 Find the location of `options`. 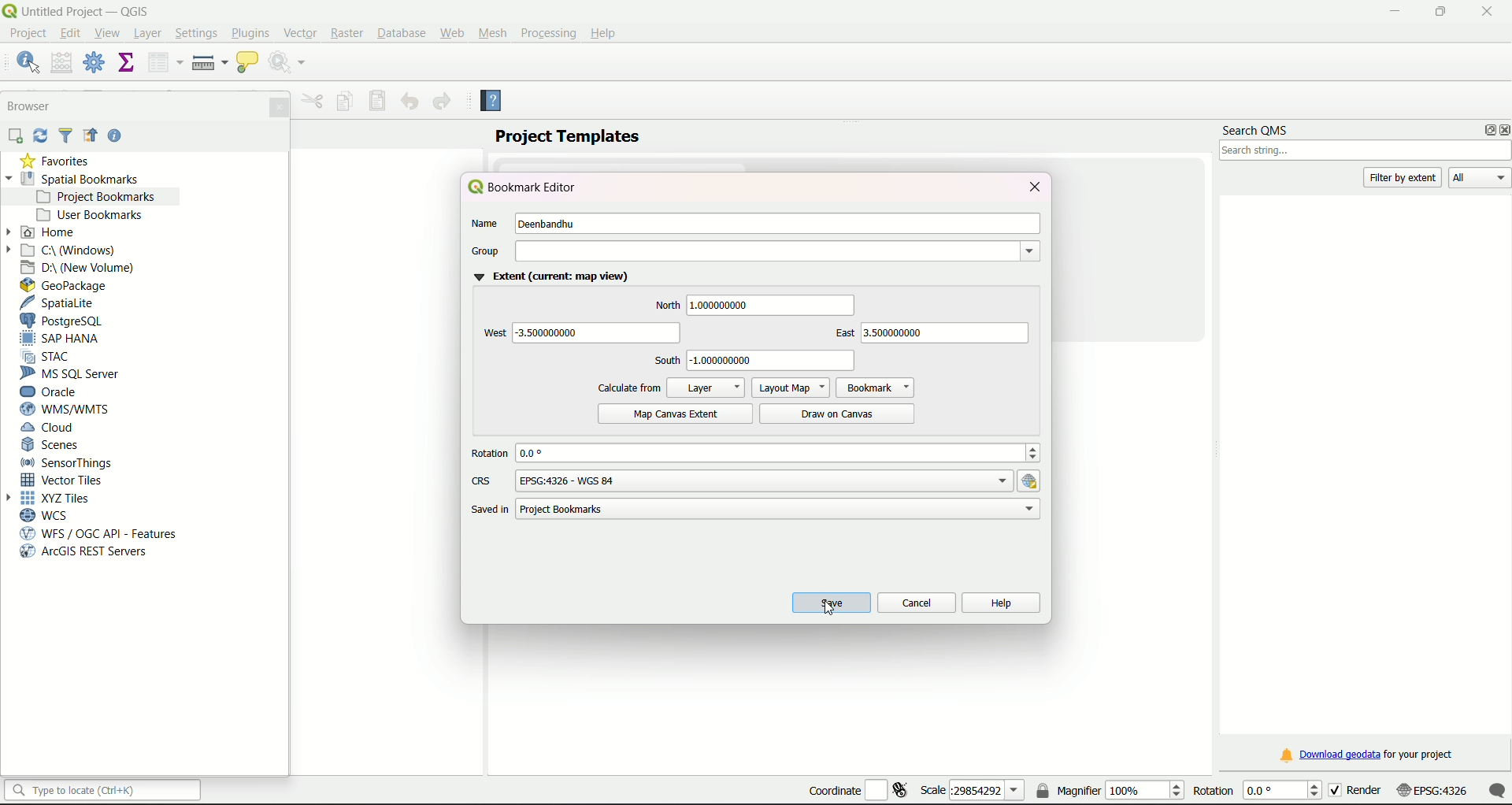

options is located at coordinates (767, 480).